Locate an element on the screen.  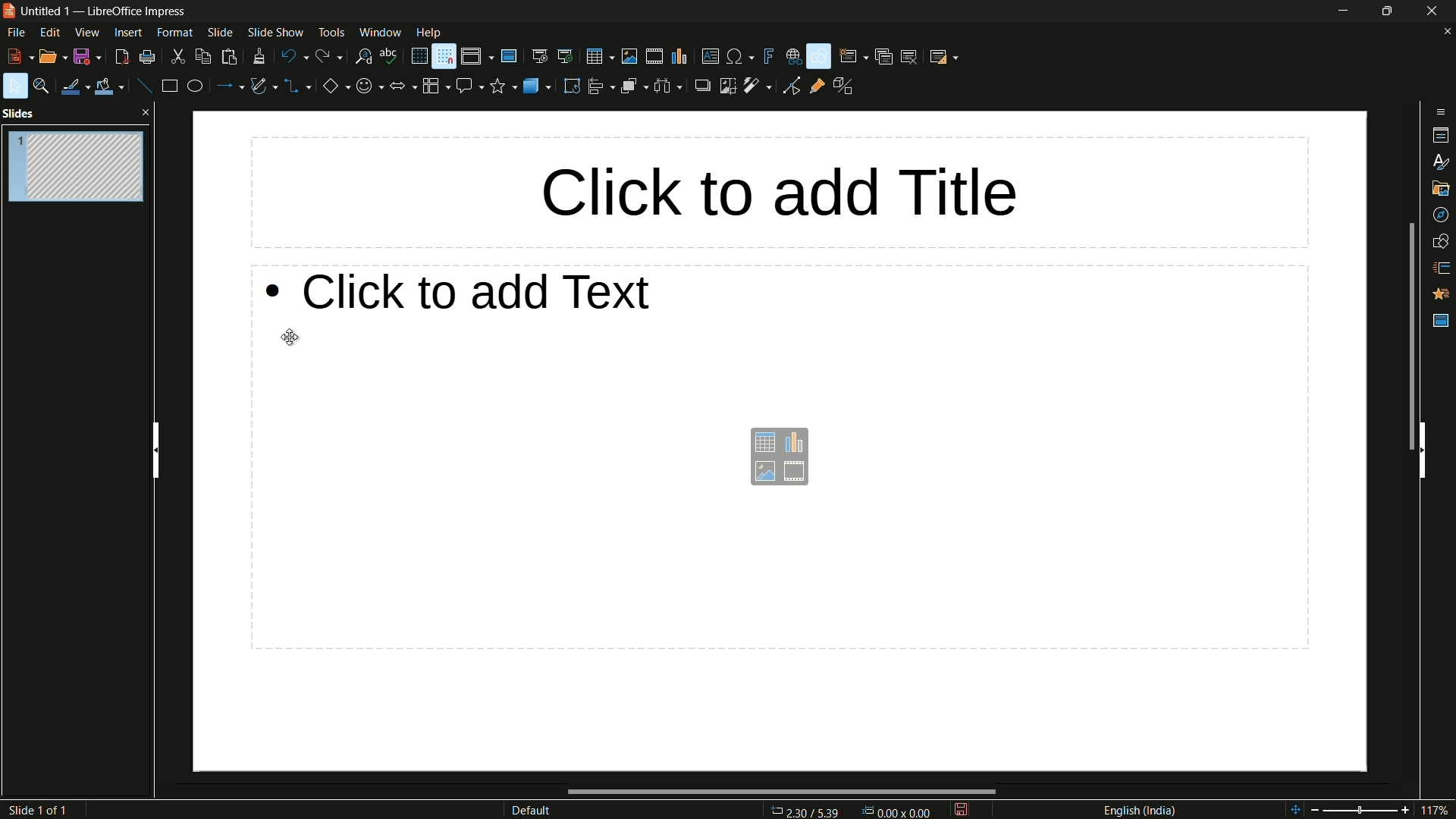
master slides is located at coordinates (1441, 322).